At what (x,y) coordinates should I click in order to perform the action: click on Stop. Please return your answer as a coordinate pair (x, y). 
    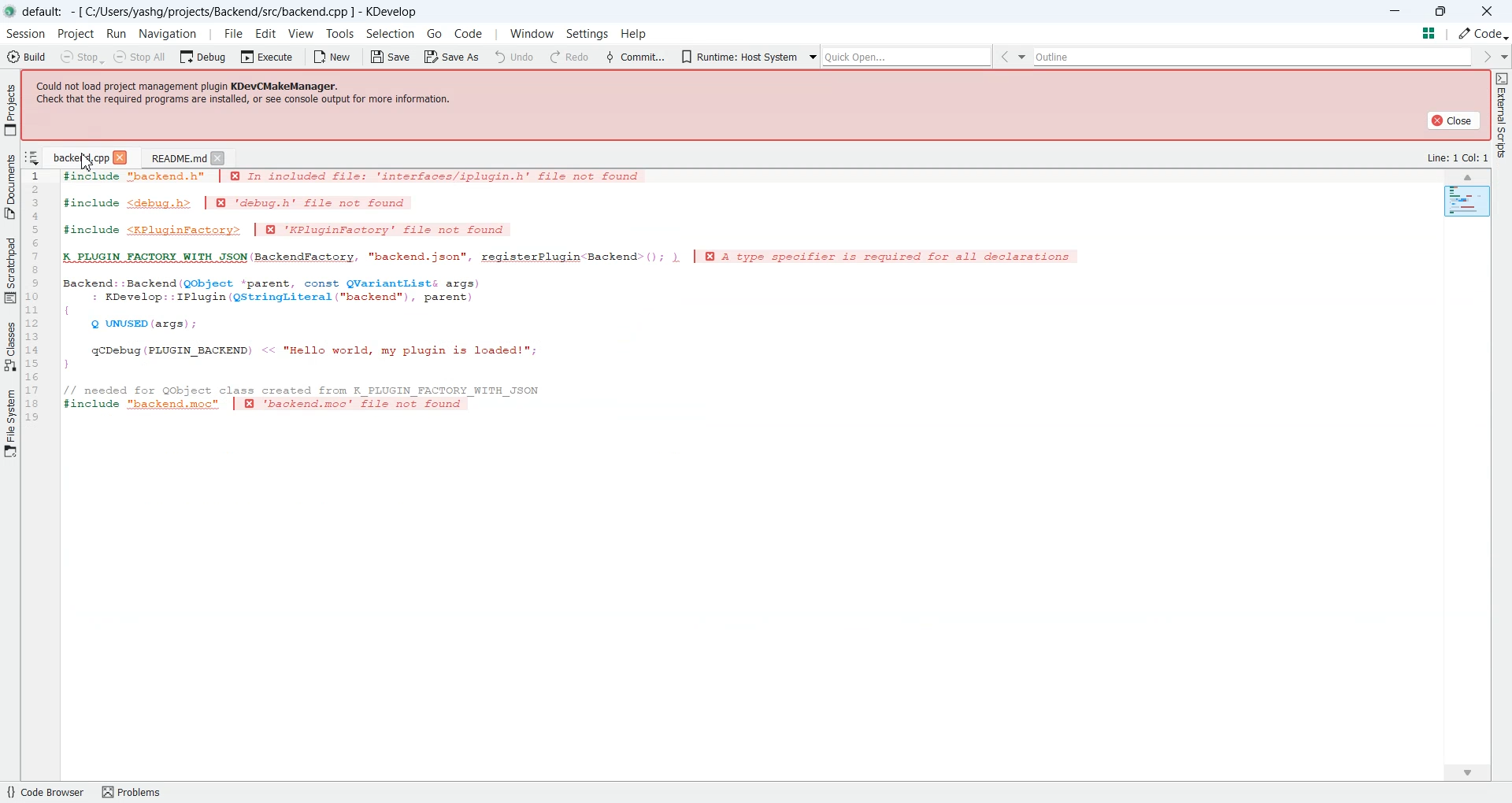
    Looking at the image, I should click on (82, 57).